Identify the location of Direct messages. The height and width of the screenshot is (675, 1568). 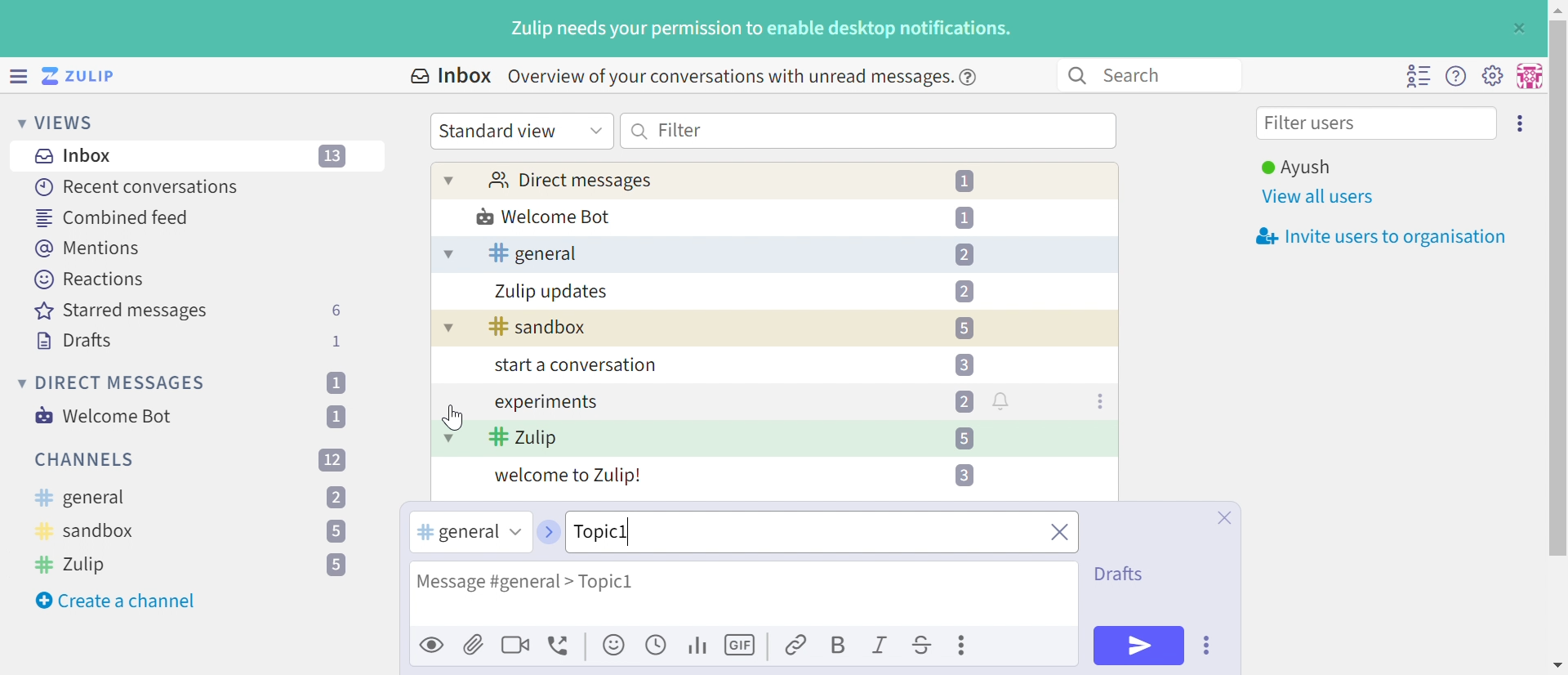
(569, 181).